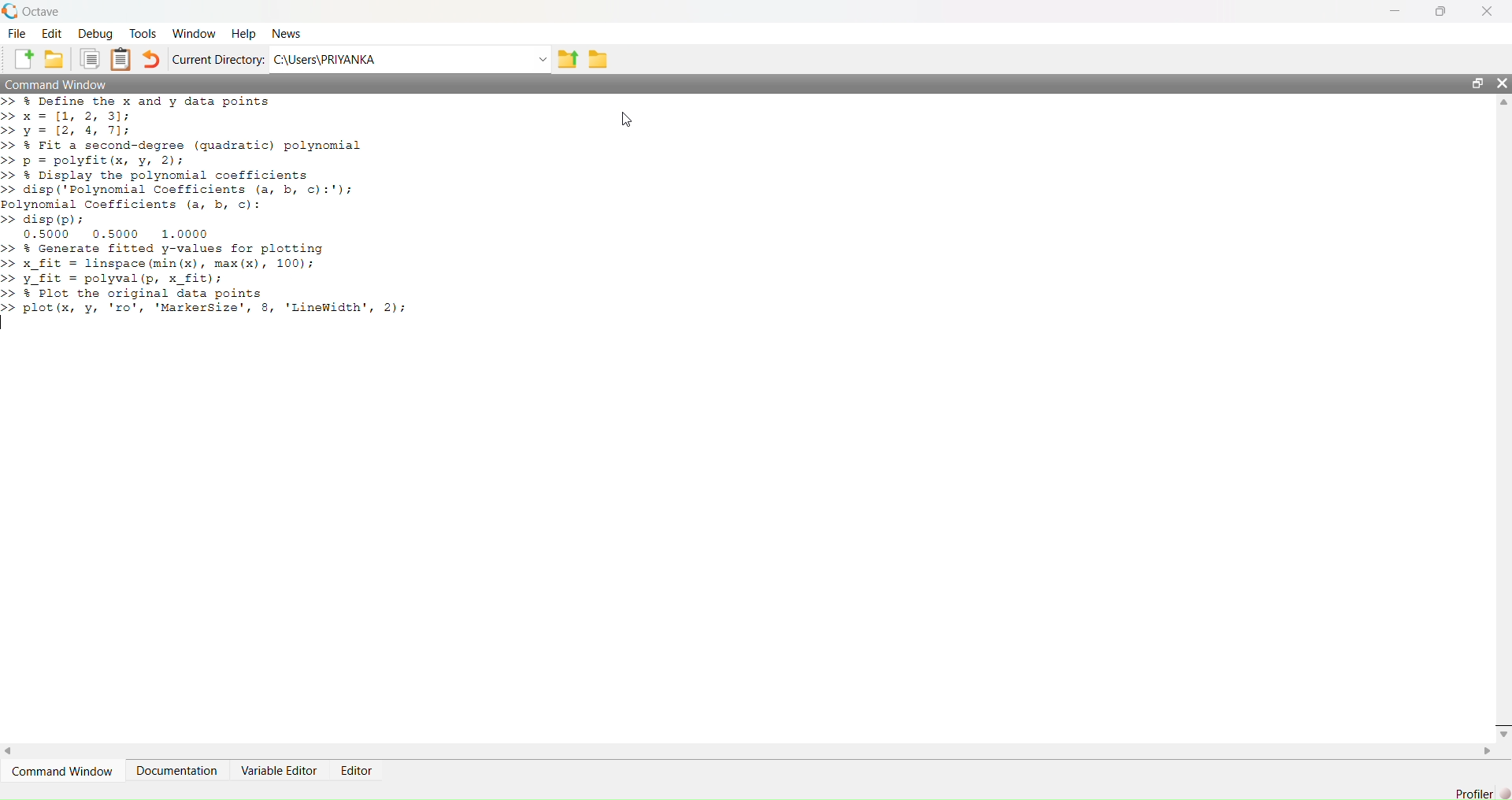 The image size is (1512, 800). I want to click on Maximize / Restore, so click(1440, 12).